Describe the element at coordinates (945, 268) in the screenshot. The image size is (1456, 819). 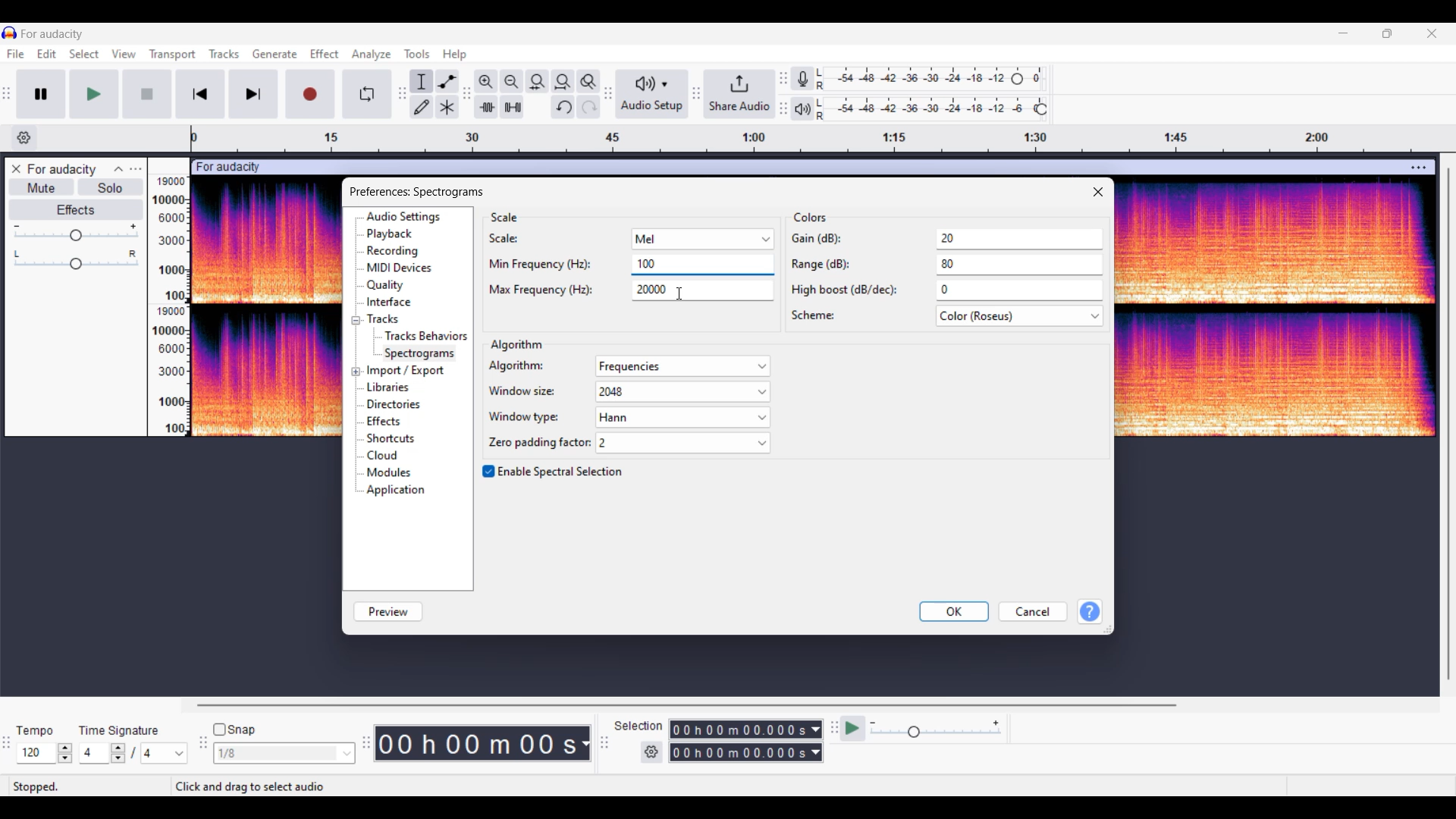
I see `range` at that location.